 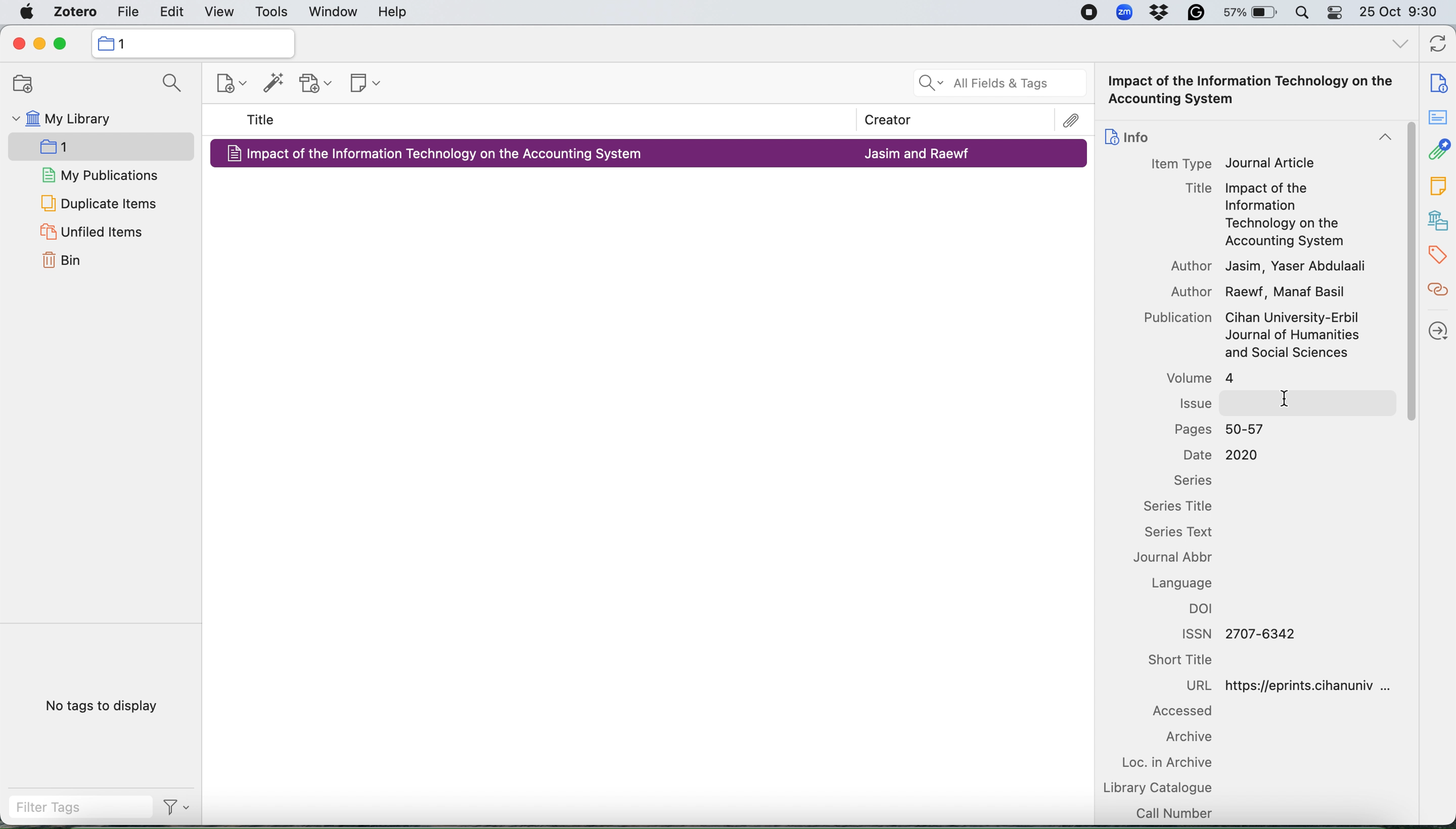 I want to click on accessed, so click(x=1180, y=713).